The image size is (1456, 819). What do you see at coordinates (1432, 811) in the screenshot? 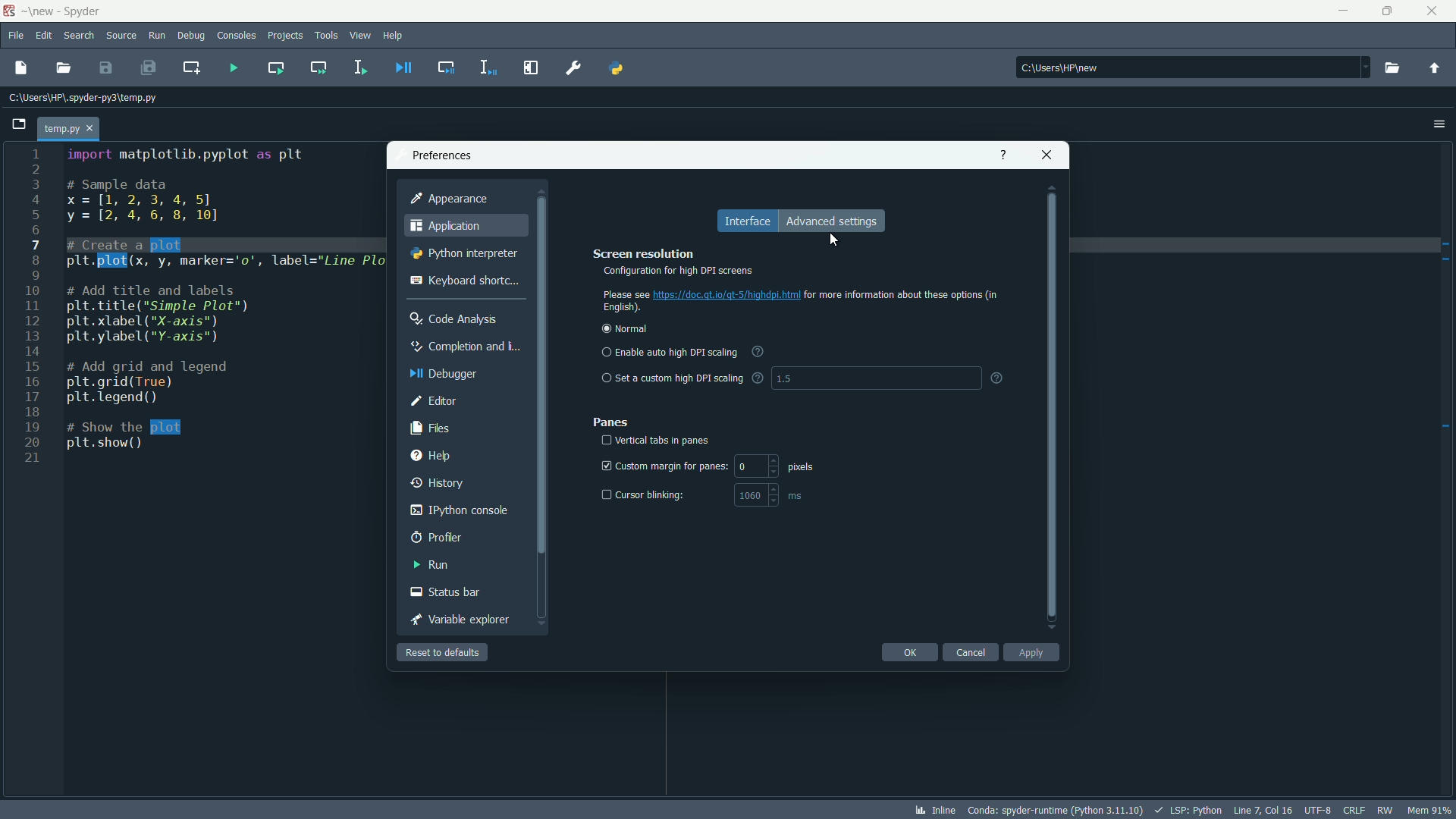
I see `memory usage` at bounding box center [1432, 811].